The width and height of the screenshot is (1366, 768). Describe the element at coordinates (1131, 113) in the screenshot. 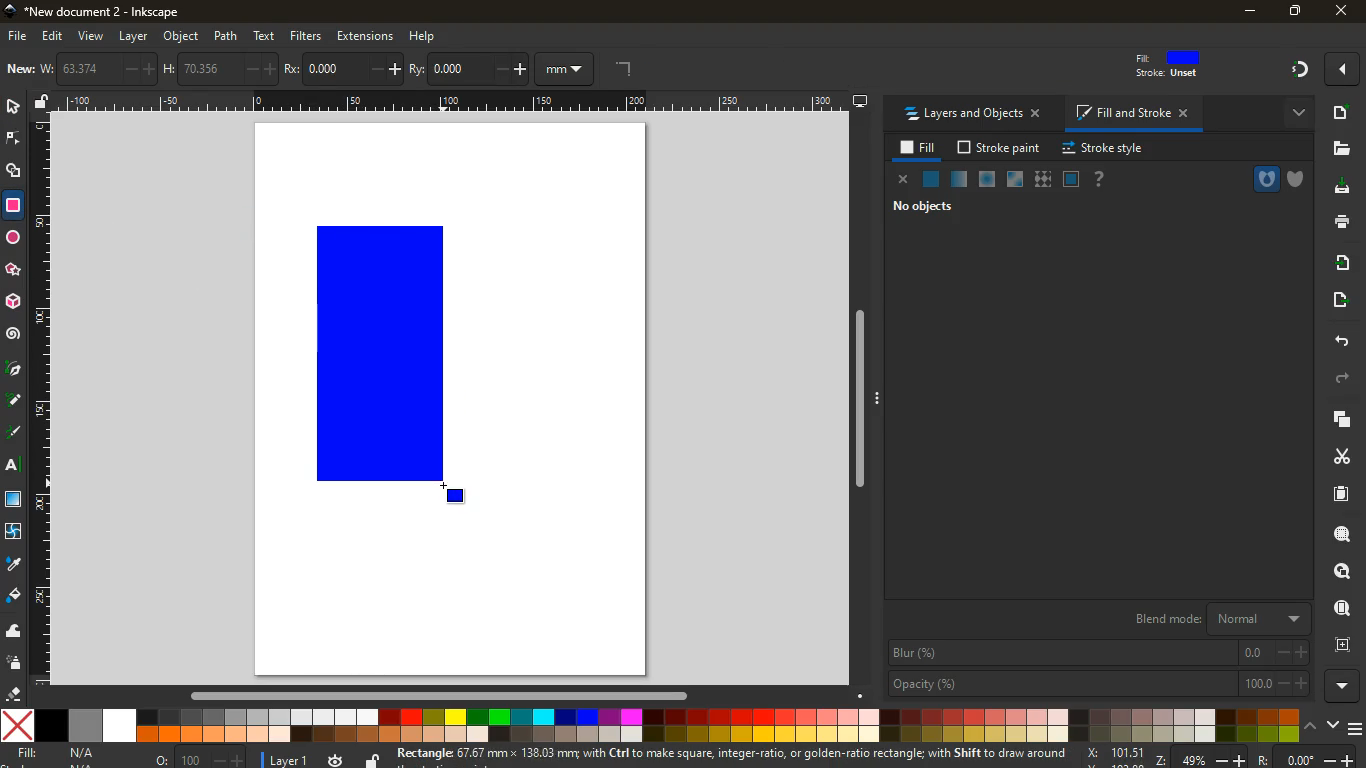

I see `fill and stroke` at that location.